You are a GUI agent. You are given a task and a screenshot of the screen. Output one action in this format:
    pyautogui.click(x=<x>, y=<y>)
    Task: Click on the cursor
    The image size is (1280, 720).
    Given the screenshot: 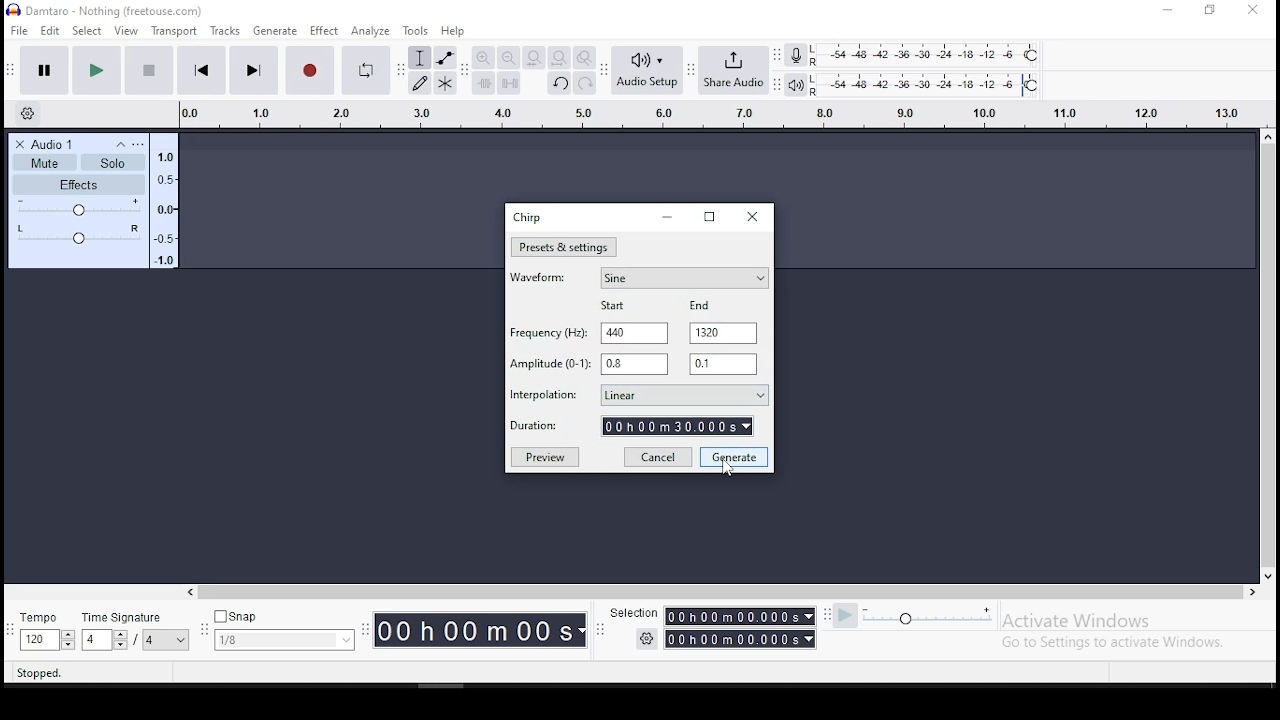 What is the action you would take?
    pyautogui.click(x=731, y=472)
    